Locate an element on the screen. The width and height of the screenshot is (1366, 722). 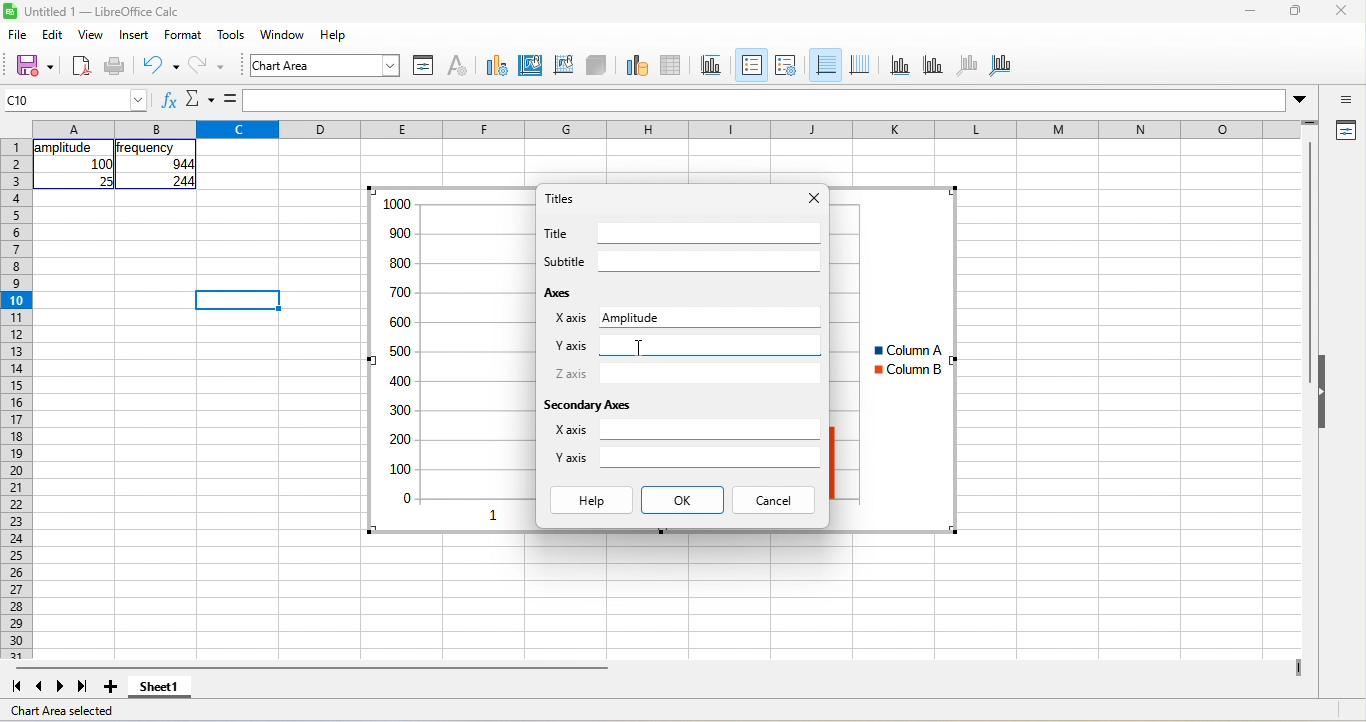
last sheet is located at coordinates (83, 687).